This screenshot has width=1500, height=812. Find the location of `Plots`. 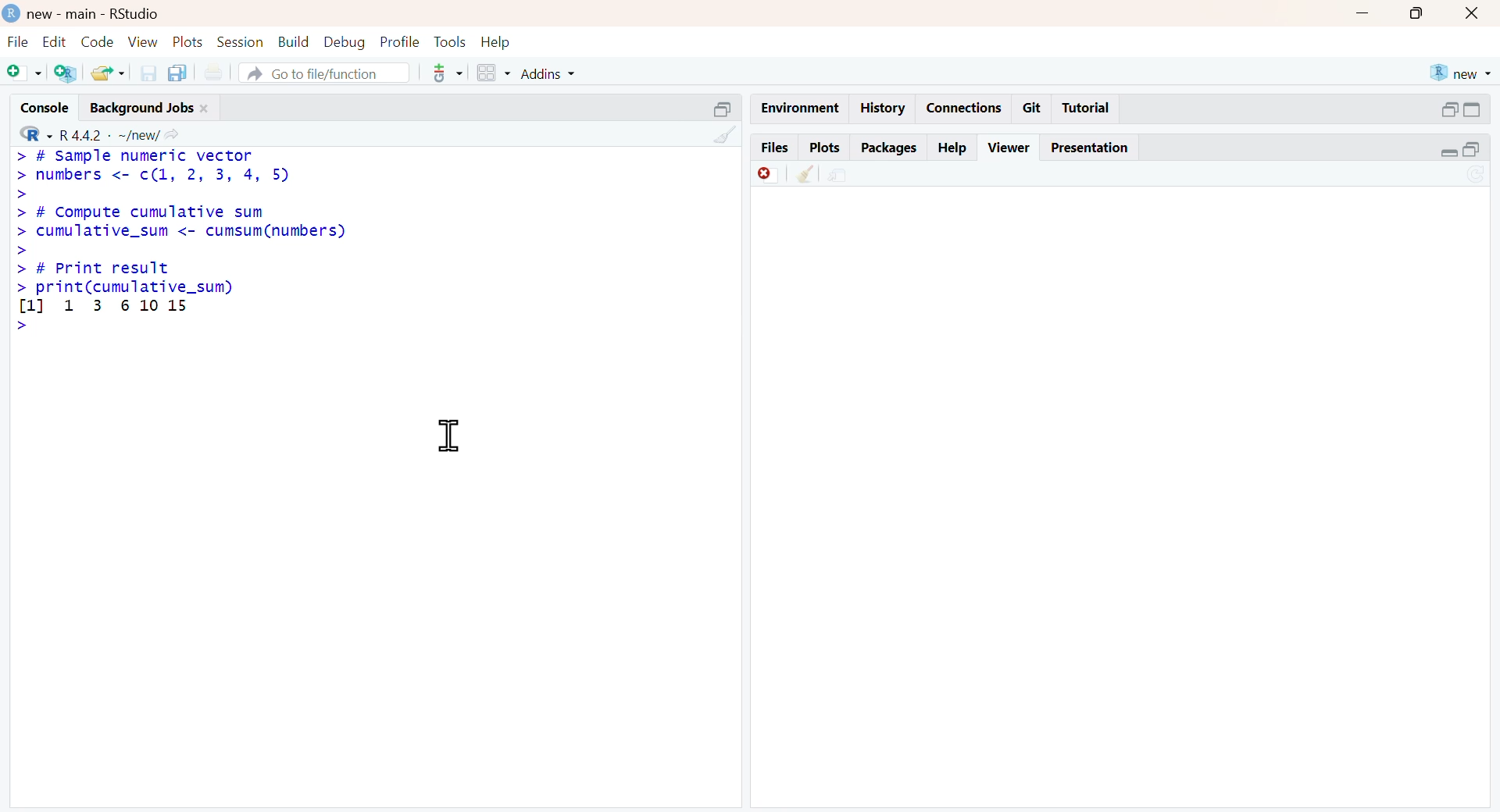

Plots is located at coordinates (825, 148).